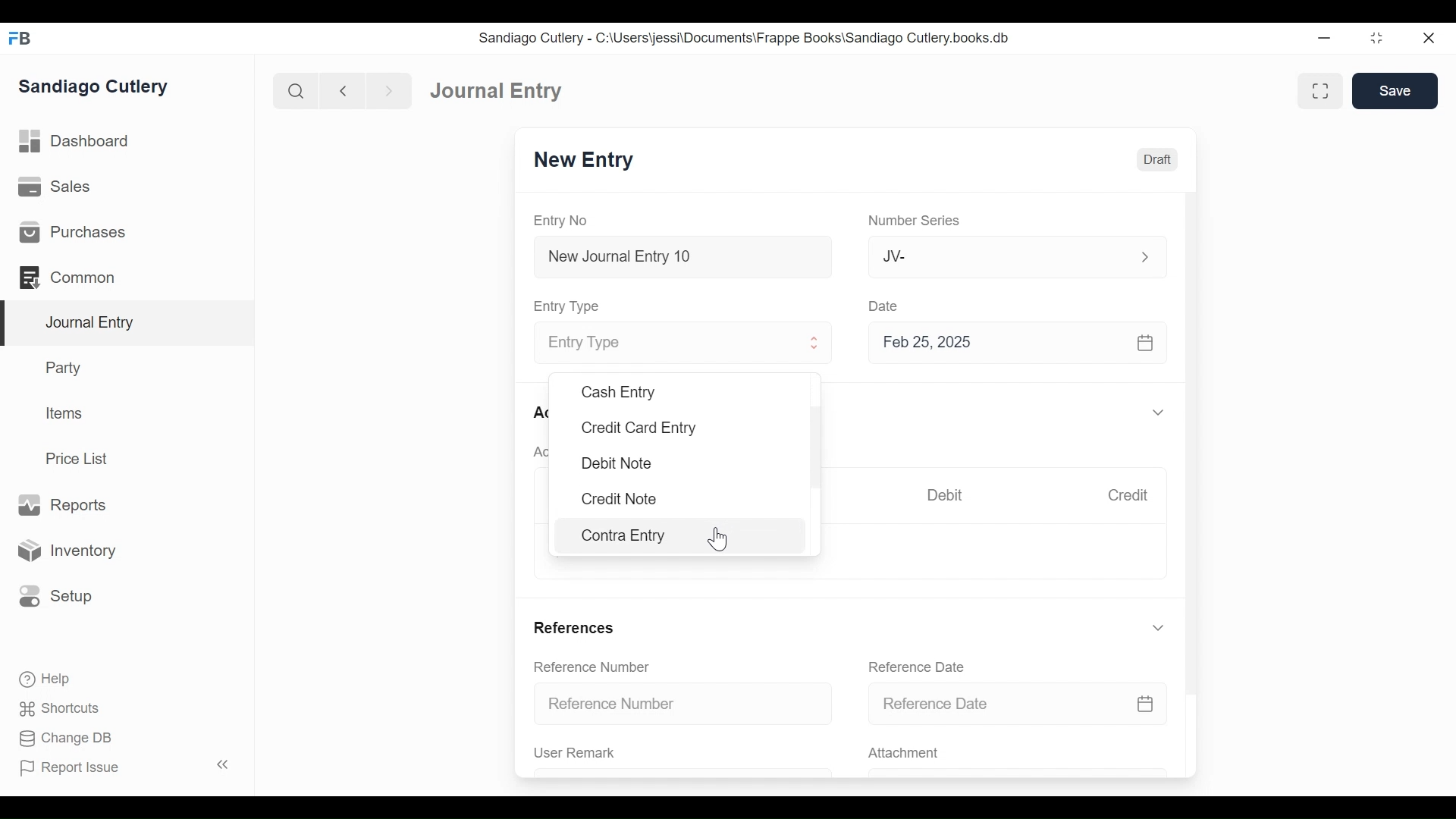 The height and width of the screenshot is (819, 1456). I want to click on Date, so click(886, 306).